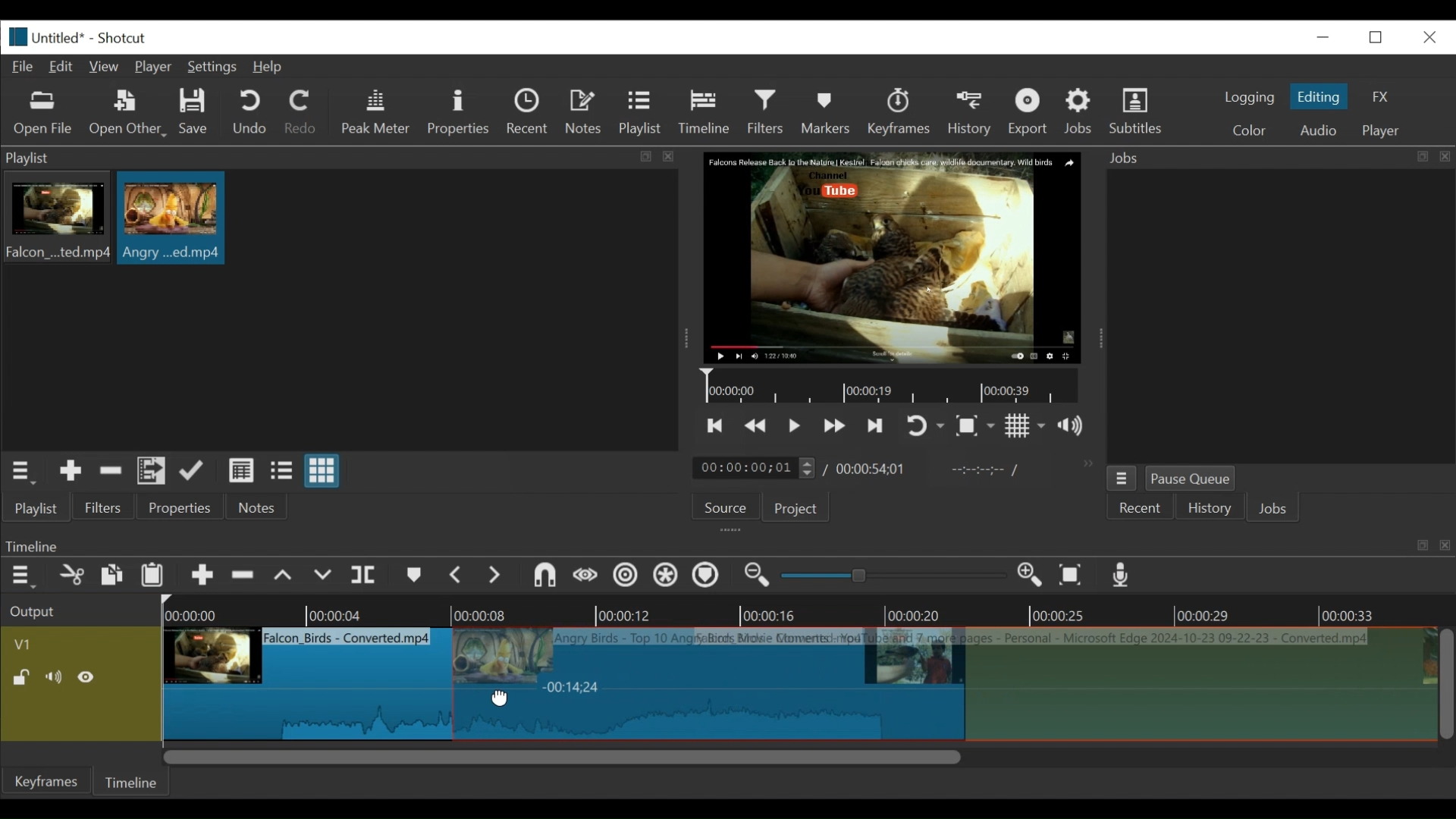 The width and height of the screenshot is (1456, 819). I want to click on Timeline, so click(808, 610).